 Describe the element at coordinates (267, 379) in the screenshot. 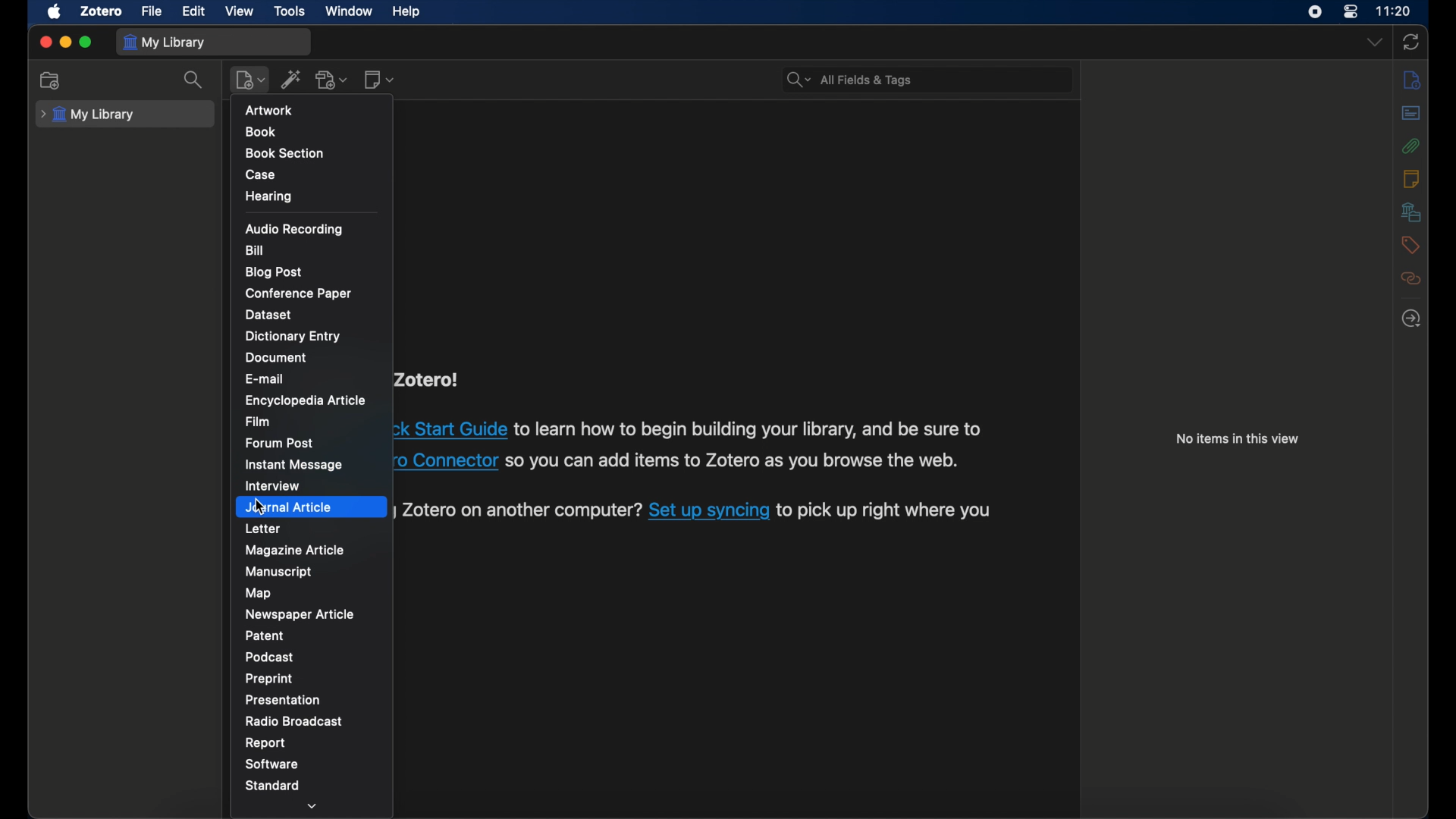

I see `e-mail` at that location.